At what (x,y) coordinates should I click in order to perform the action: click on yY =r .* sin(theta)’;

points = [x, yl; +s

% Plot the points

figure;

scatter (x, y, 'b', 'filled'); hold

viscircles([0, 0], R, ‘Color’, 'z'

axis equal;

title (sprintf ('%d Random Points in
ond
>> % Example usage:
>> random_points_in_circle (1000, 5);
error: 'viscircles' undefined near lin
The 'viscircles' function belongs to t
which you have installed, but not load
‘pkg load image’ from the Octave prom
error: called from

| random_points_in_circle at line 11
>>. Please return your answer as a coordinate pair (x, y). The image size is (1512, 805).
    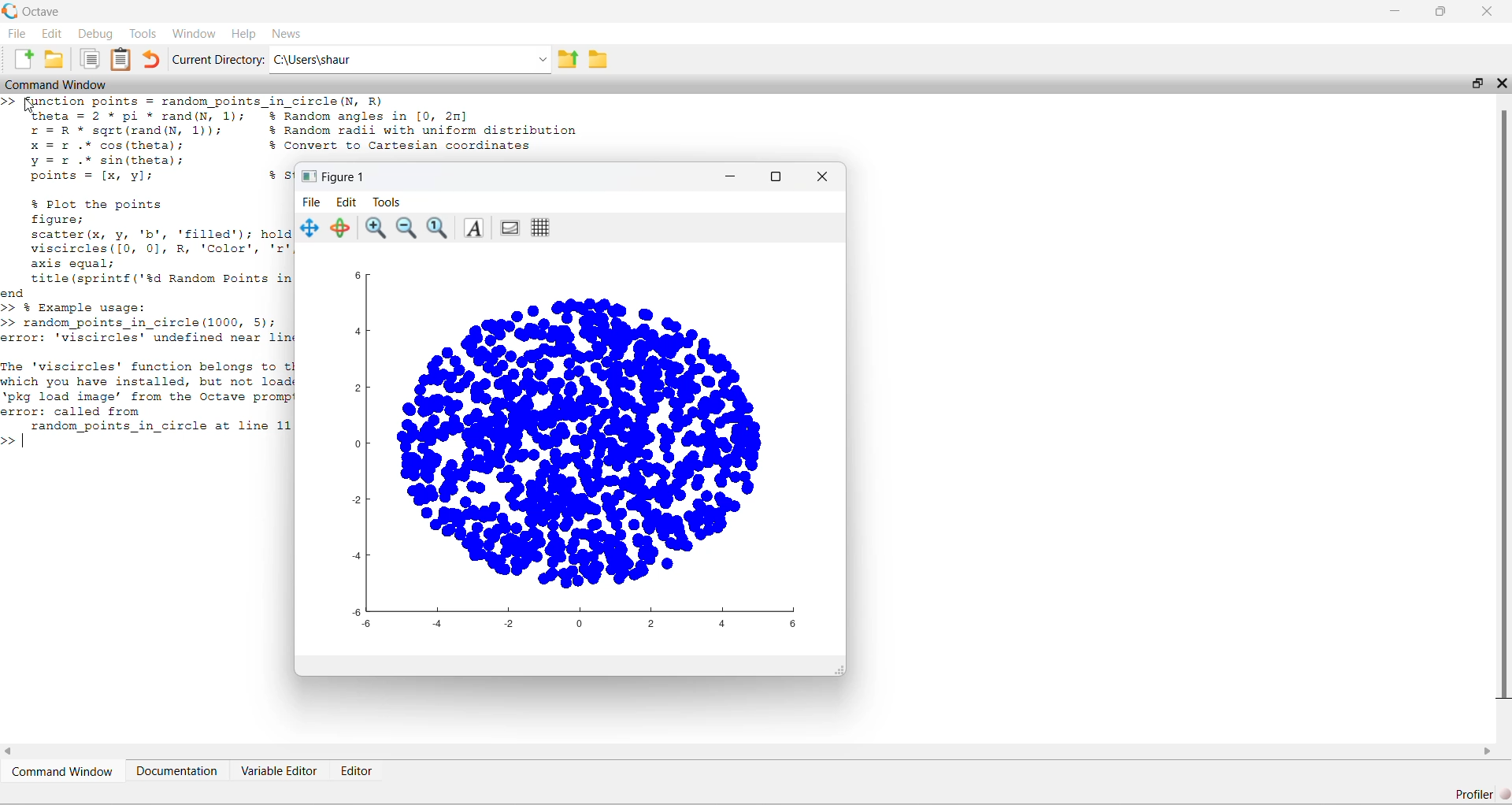
    Looking at the image, I should click on (146, 301).